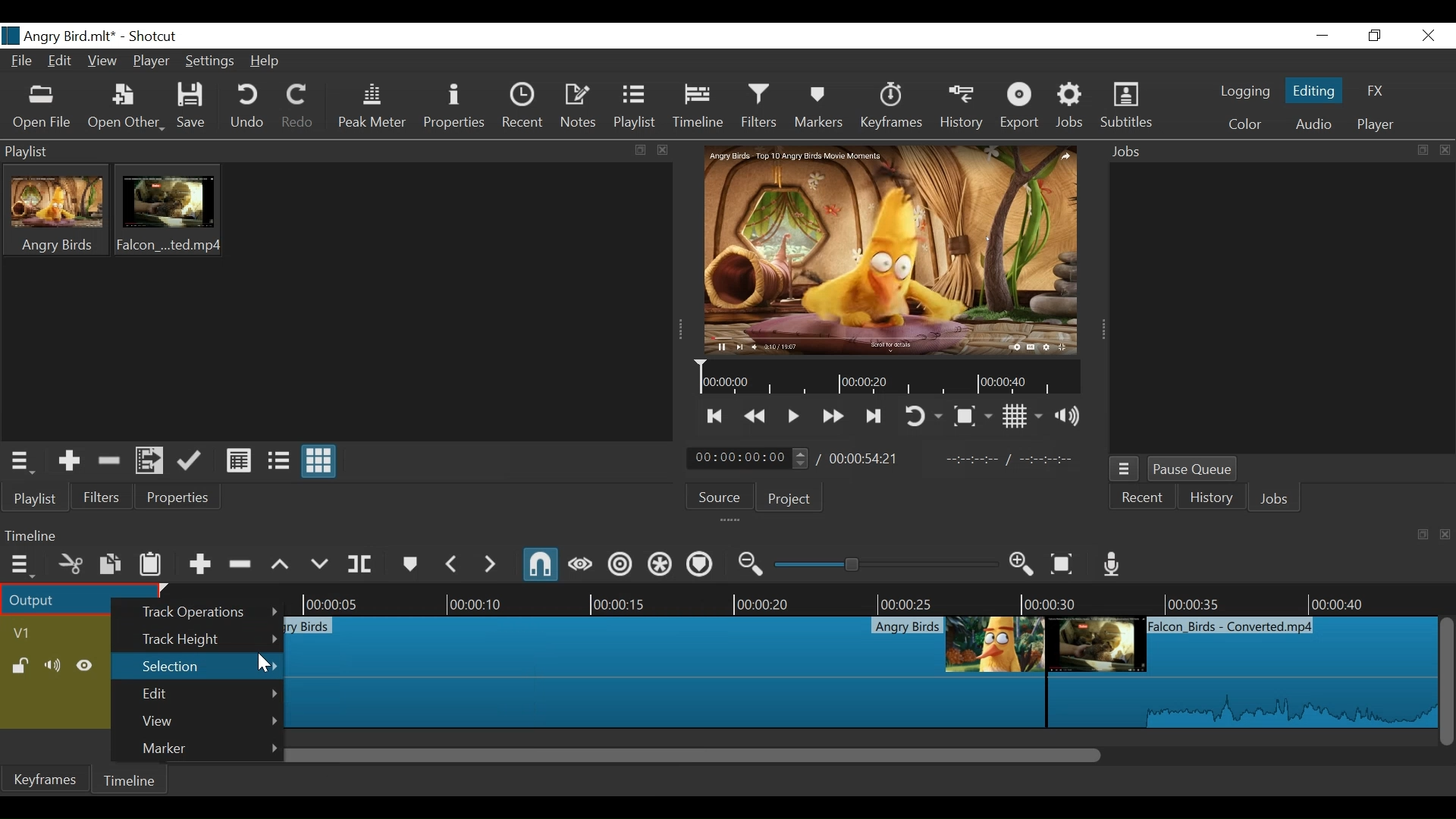 The image size is (1456, 819). Describe the element at coordinates (635, 107) in the screenshot. I see `Playlist` at that location.